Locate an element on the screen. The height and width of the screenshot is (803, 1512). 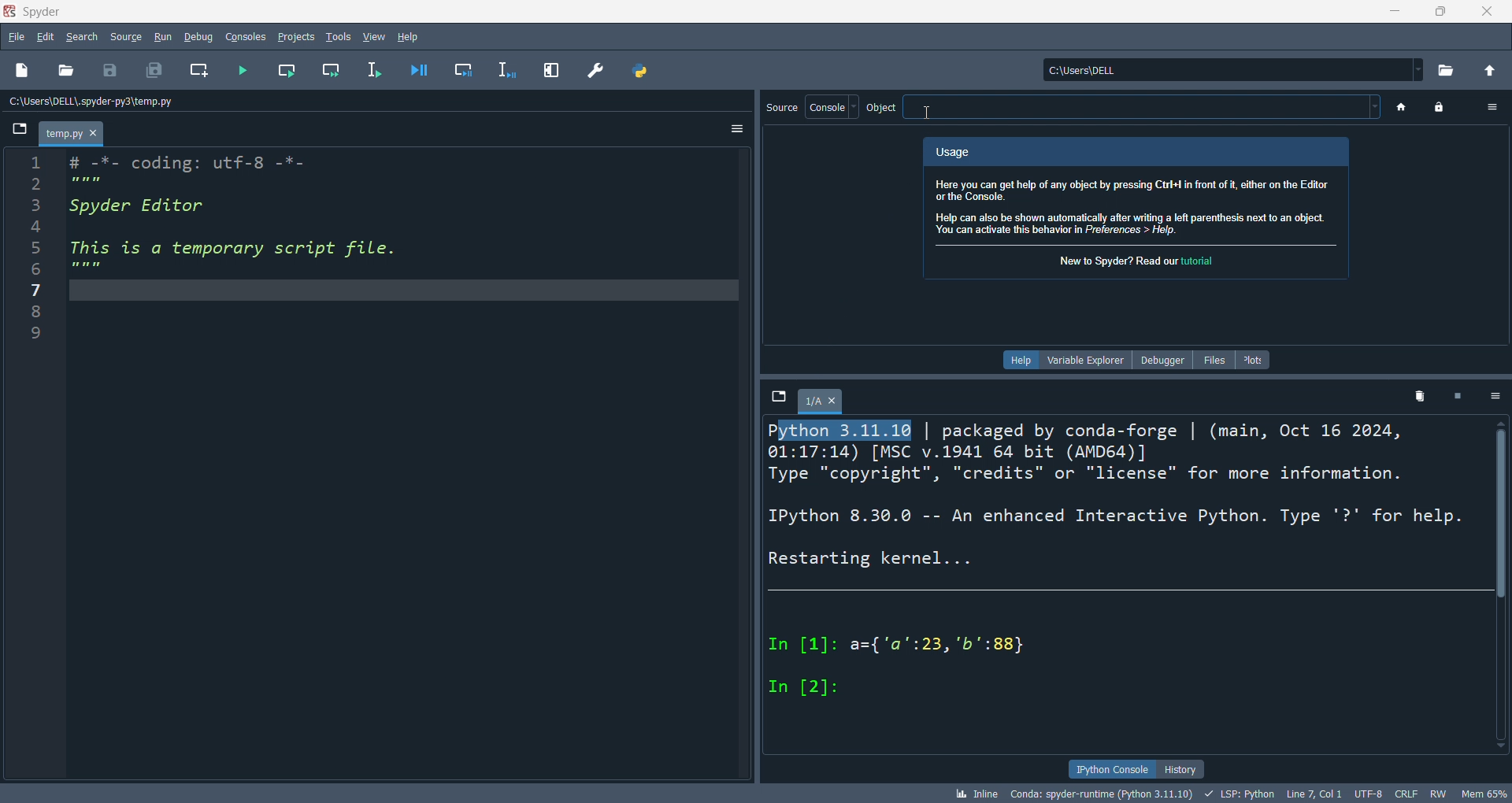
options is located at coordinates (1492, 395).